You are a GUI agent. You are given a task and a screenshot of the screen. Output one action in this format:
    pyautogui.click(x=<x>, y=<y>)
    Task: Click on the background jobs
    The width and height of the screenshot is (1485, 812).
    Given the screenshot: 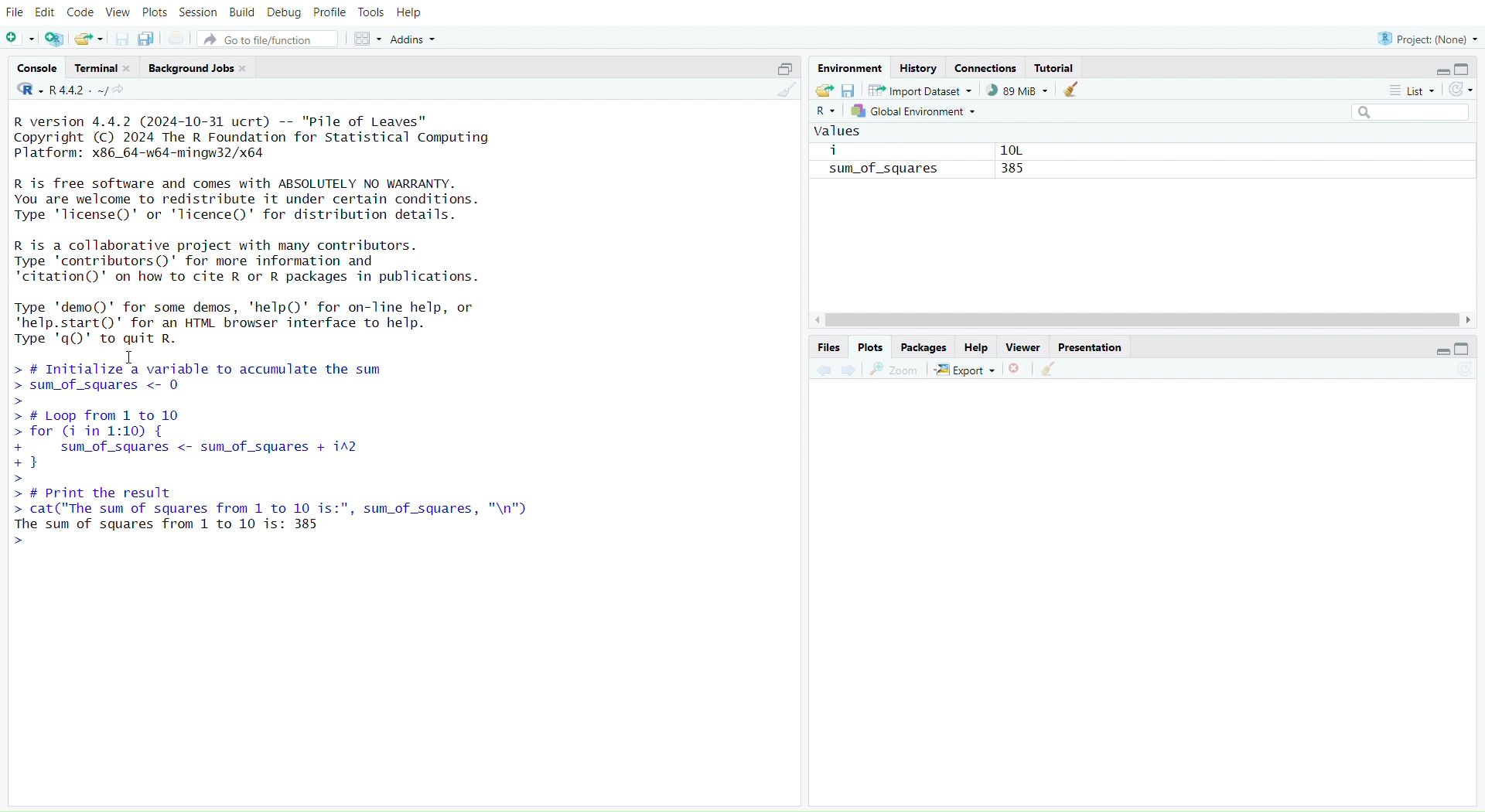 What is the action you would take?
    pyautogui.click(x=201, y=68)
    